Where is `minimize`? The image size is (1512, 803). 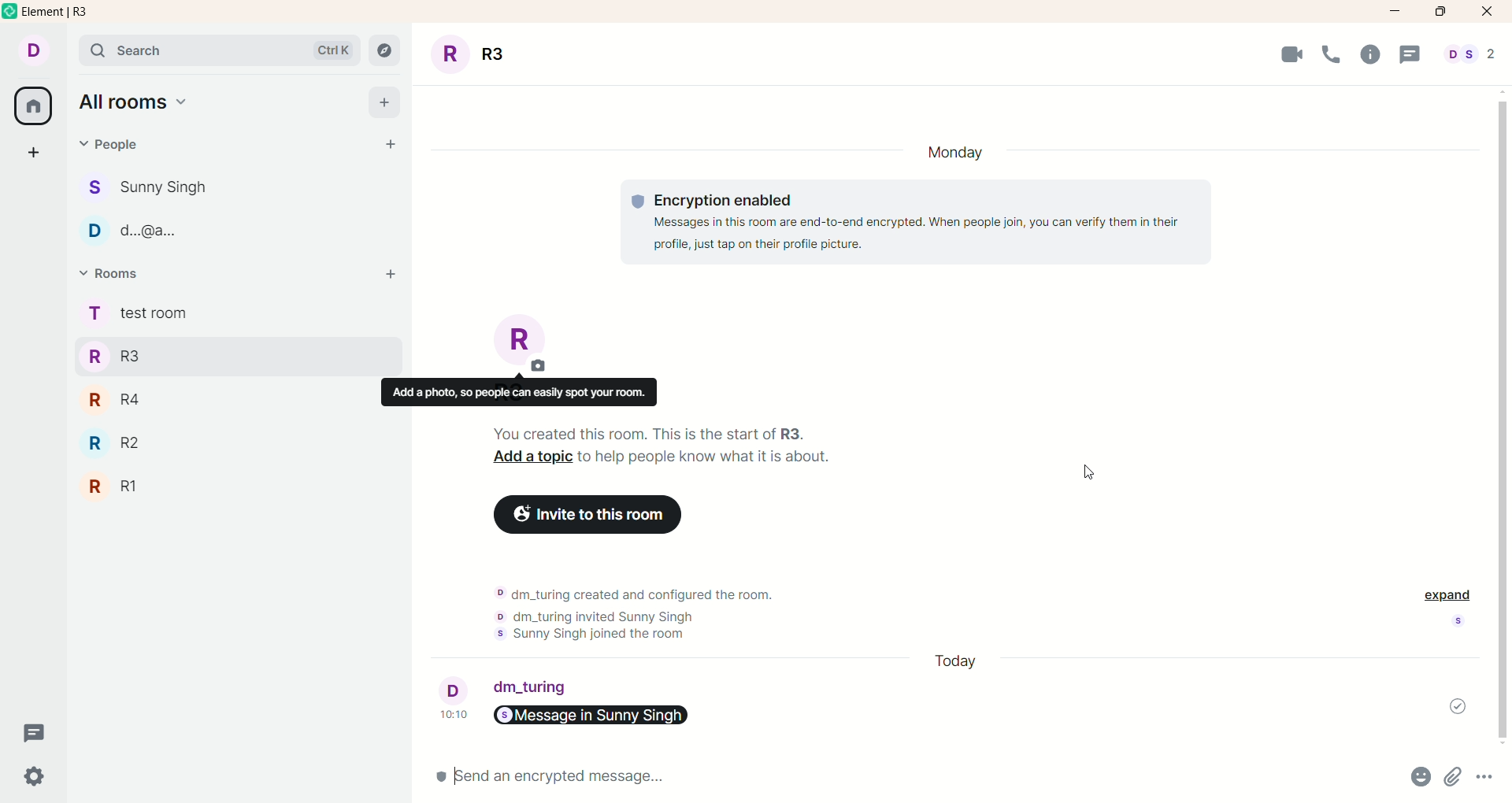
minimize is located at coordinates (1397, 9).